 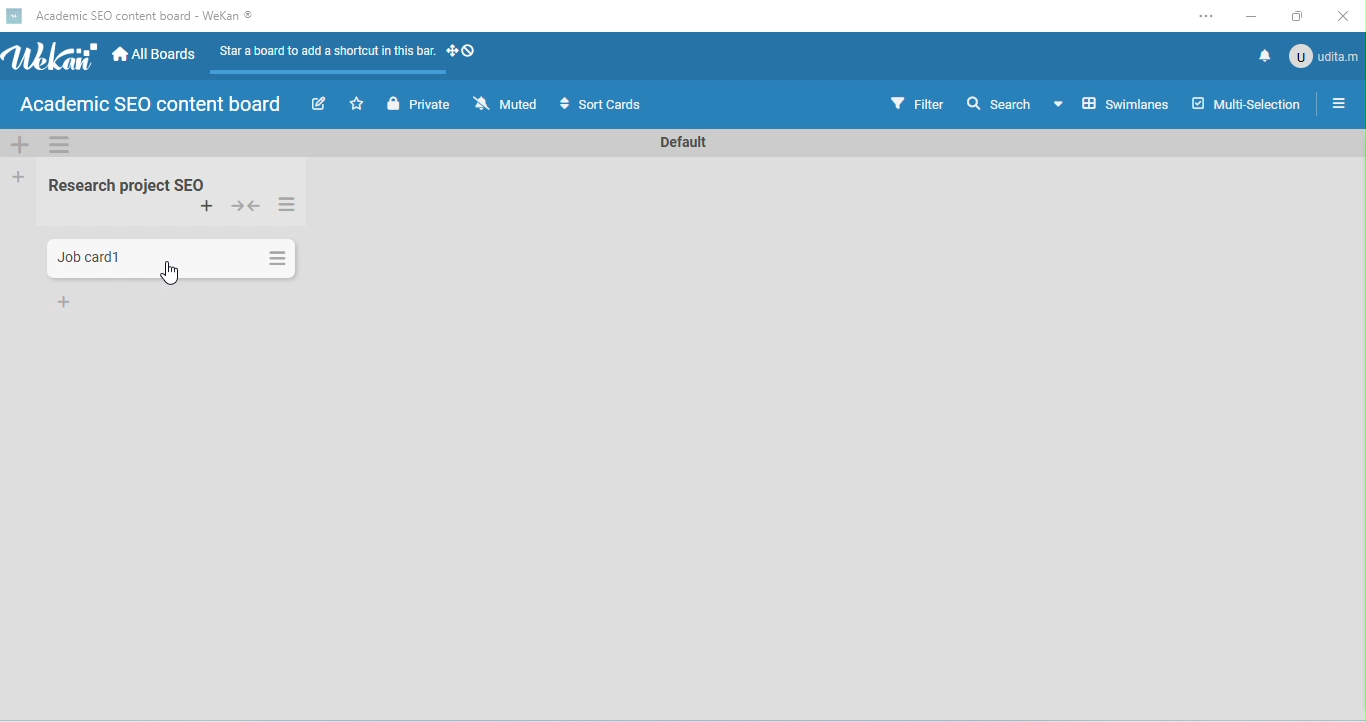 What do you see at coordinates (1112, 103) in the screenshot?
I see `board view` at bounding box center [1112, 103].